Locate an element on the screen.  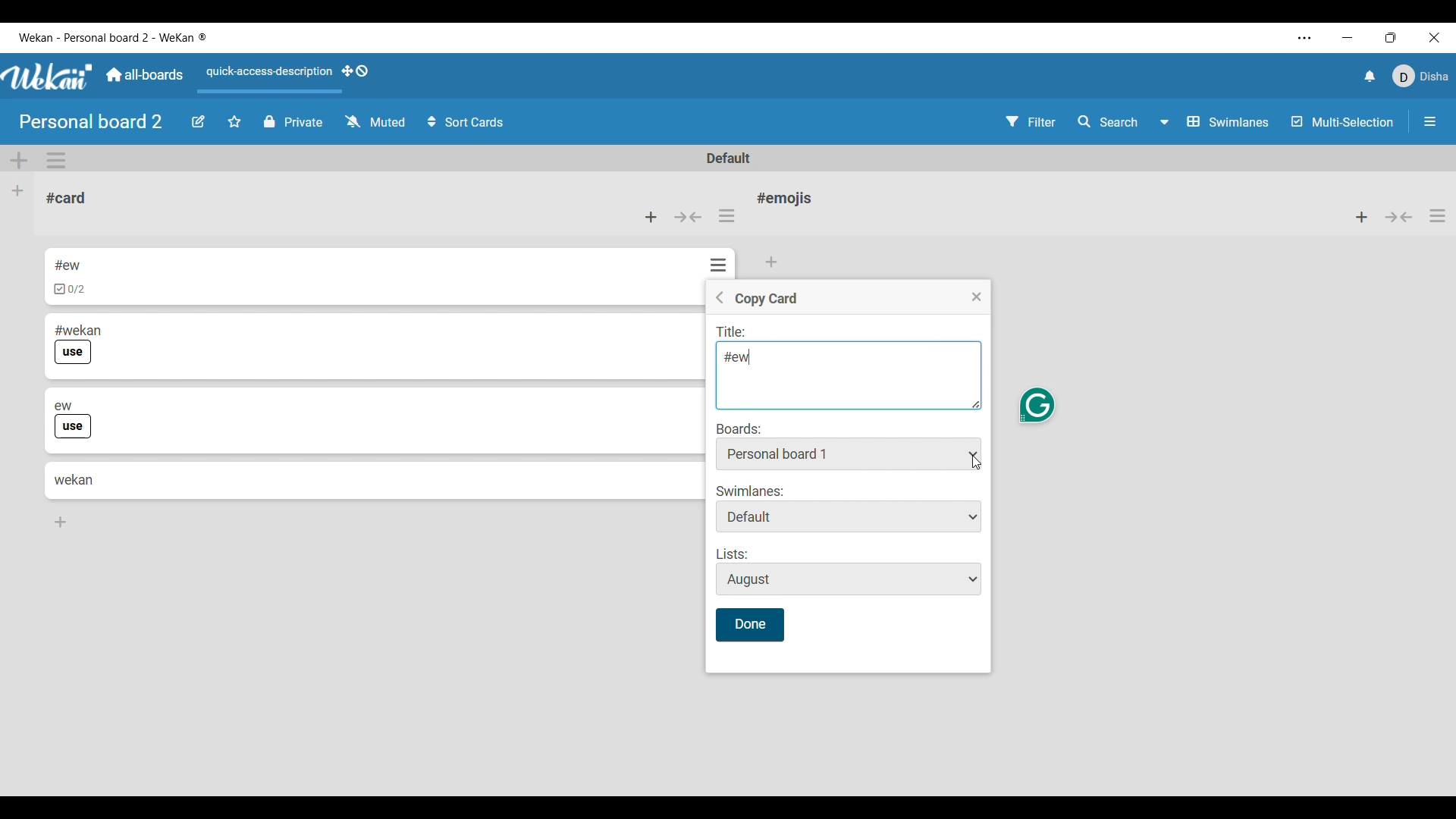
Privacy of board is located at coordinates (293, 121).